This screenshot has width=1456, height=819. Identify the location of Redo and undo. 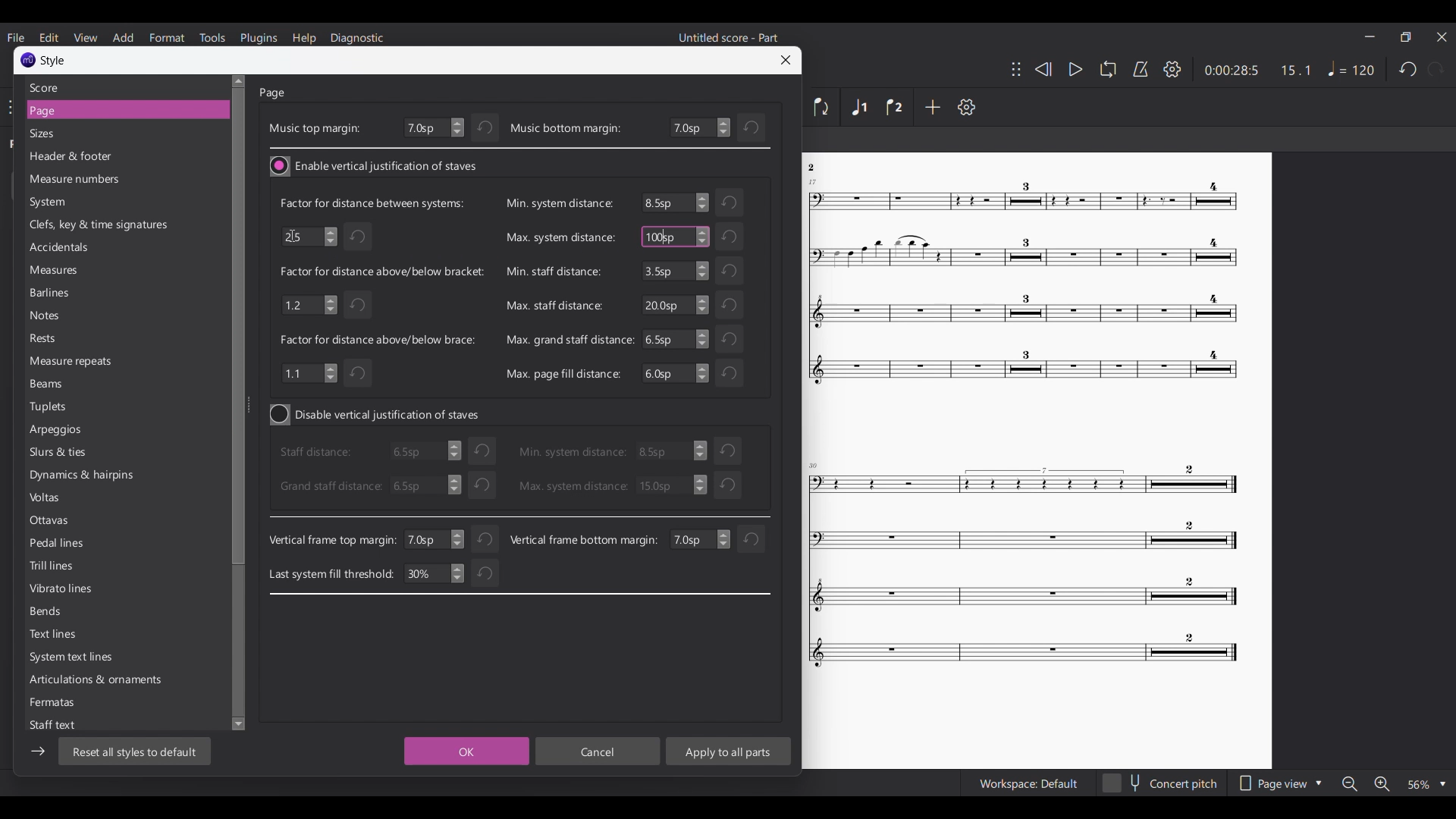
(1421, 69).